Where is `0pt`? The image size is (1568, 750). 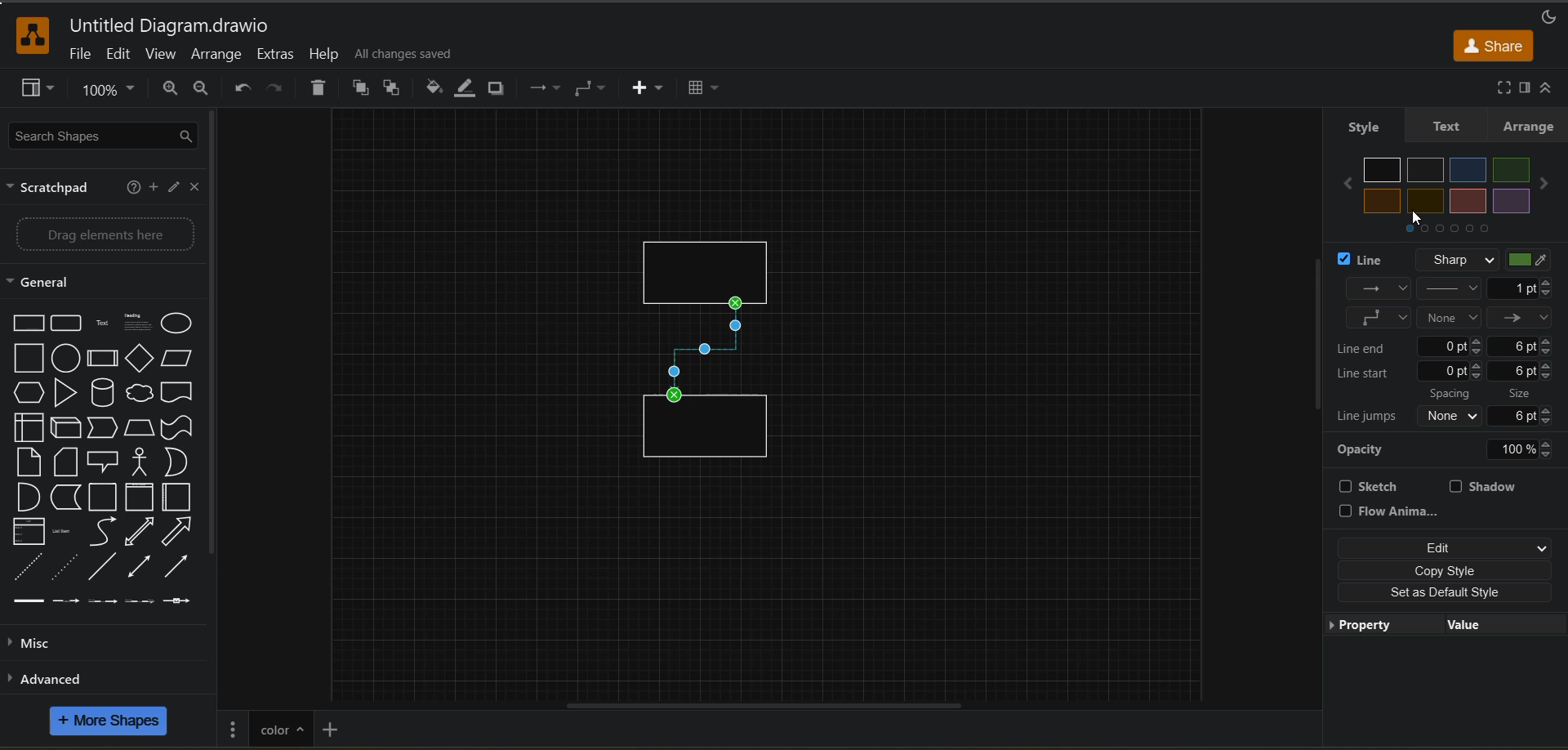 0pt is located at coordinates (1451, 371).